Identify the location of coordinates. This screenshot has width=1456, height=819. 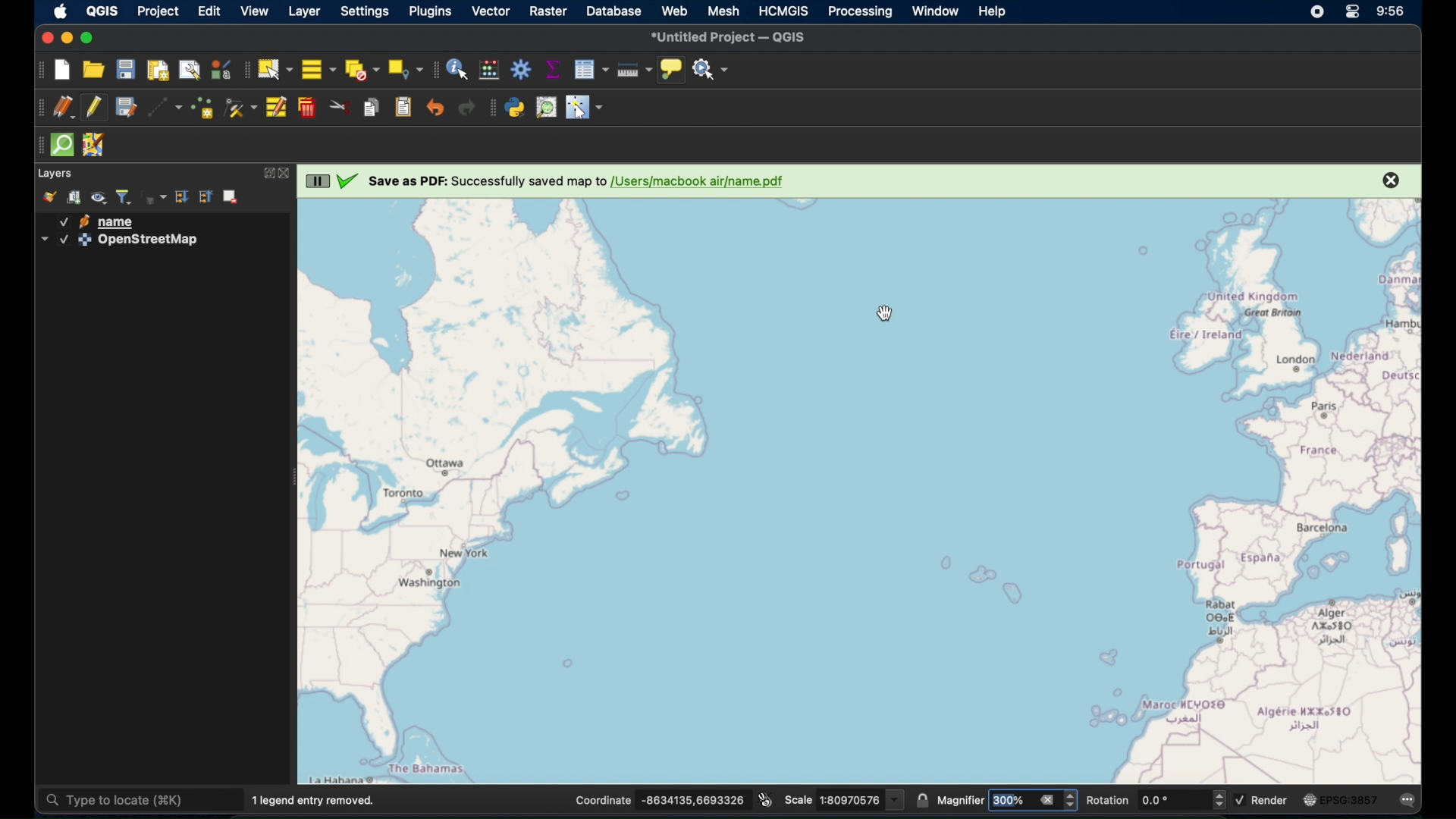
(662, 801).